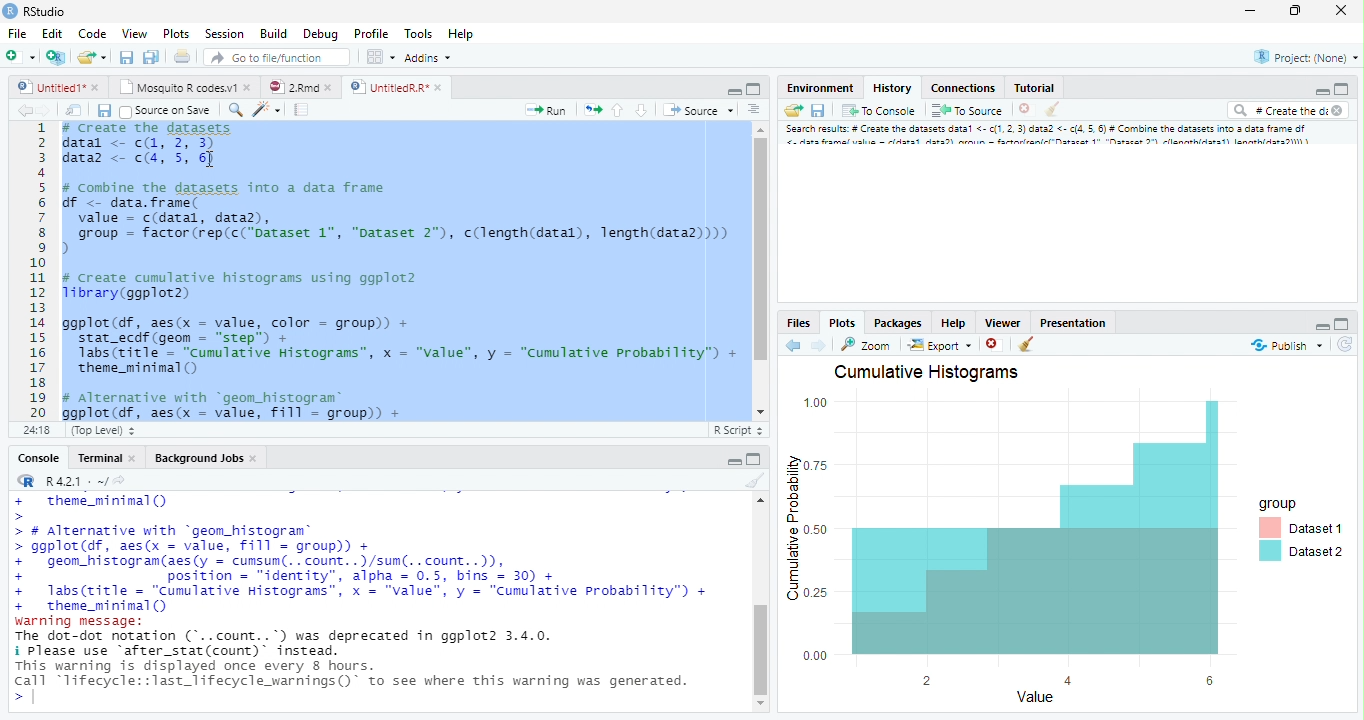  What do you see at coordinates (133, 35) in the screenshot?
I see `View` at bounding box center [133, 35].